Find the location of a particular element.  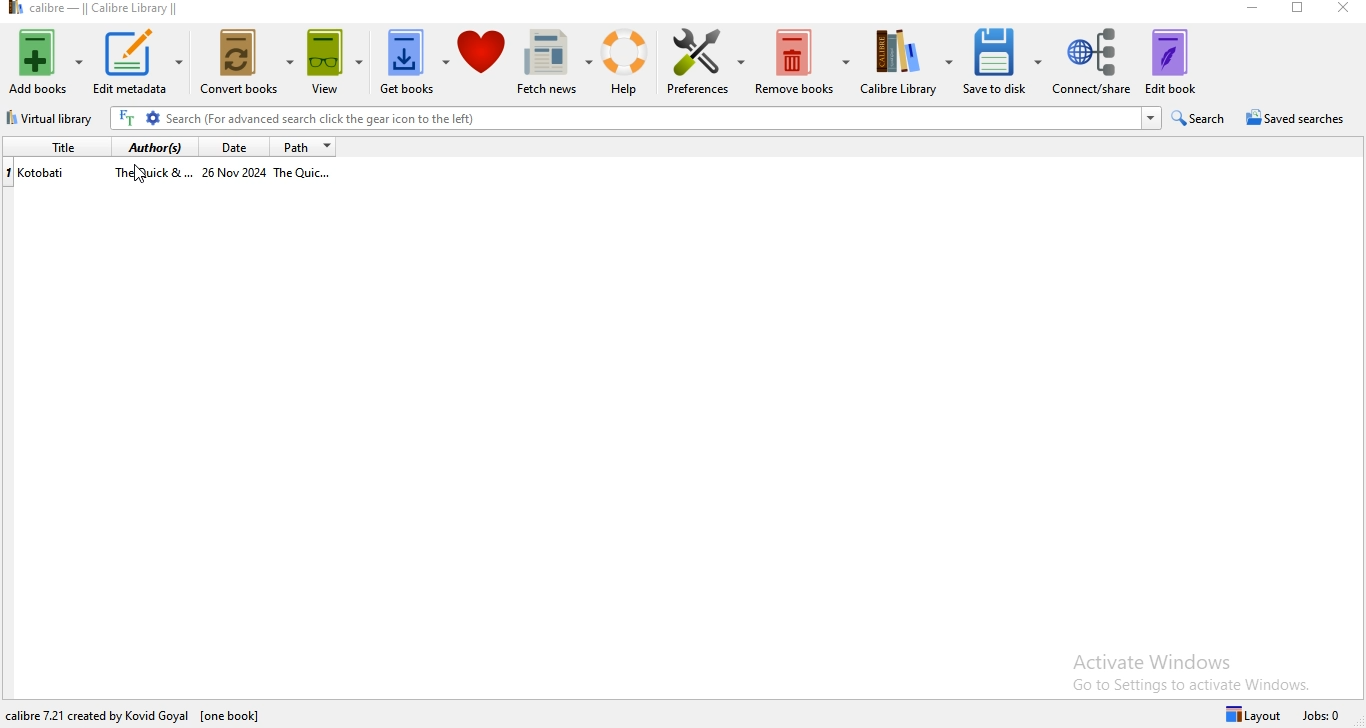

edit metadata is located at coordinates (144, 63).